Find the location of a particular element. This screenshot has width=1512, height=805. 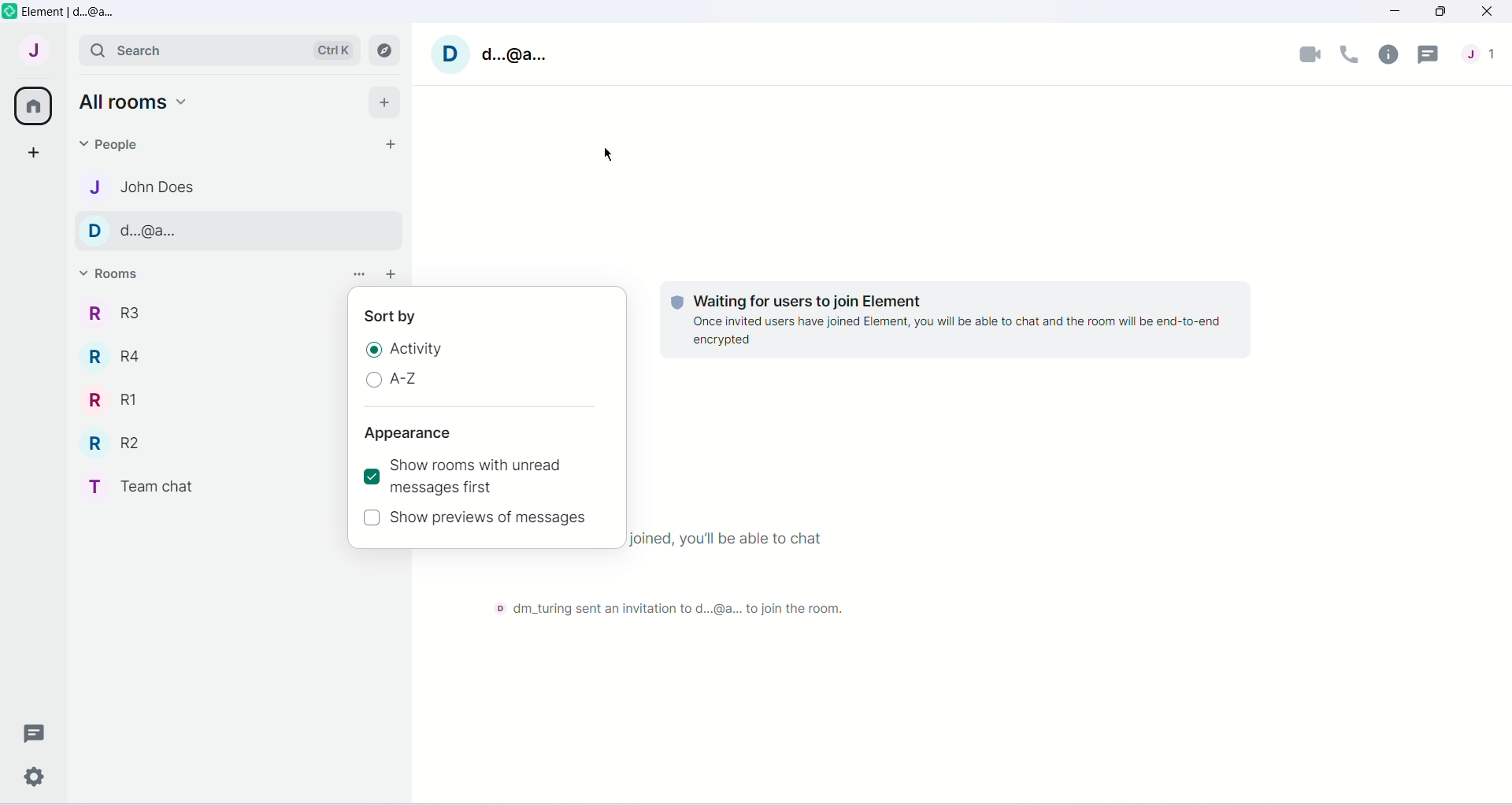

Start chat is located at coordinates (386, 144).